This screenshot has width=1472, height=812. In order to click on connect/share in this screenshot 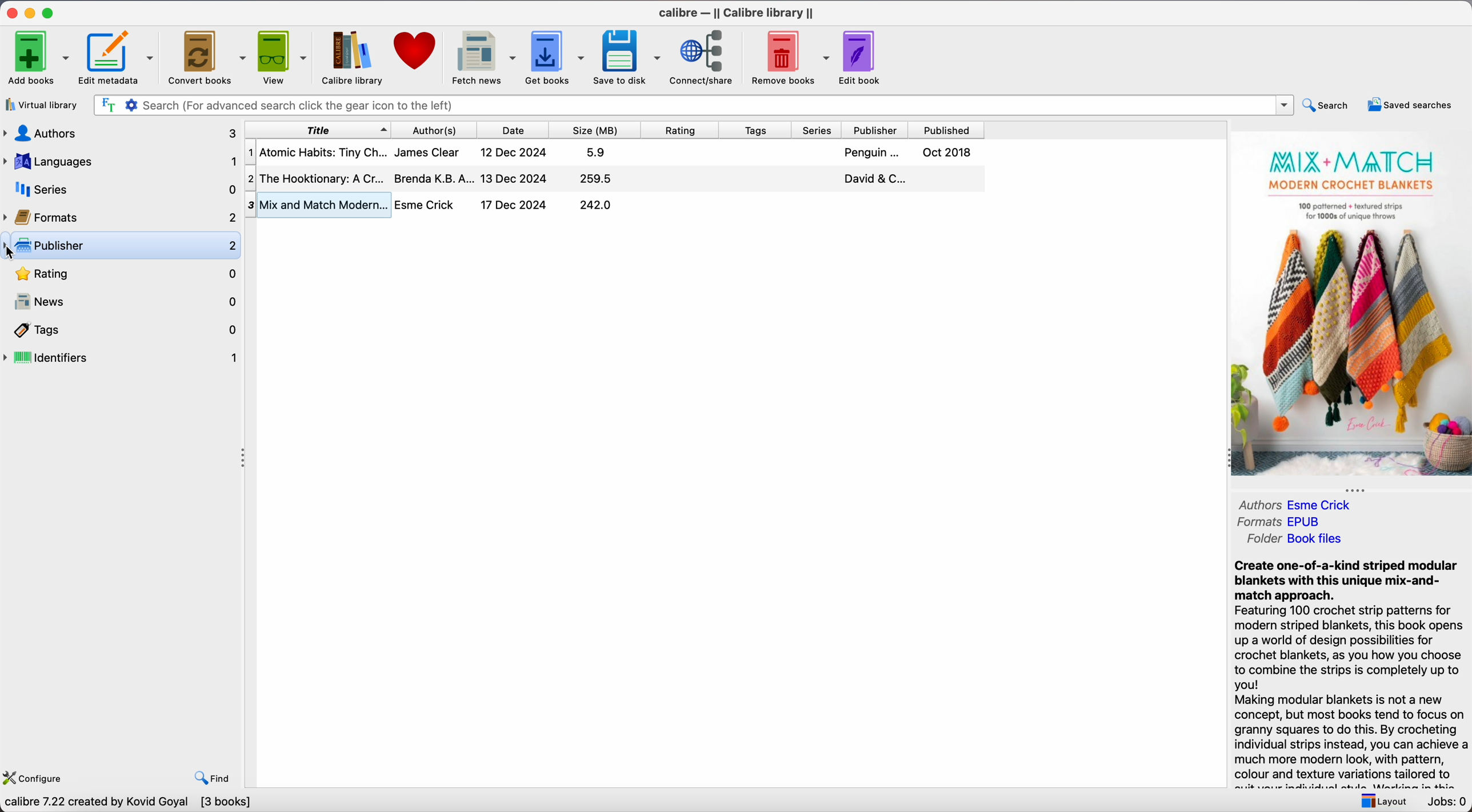, I will do `click(705, 58)`.